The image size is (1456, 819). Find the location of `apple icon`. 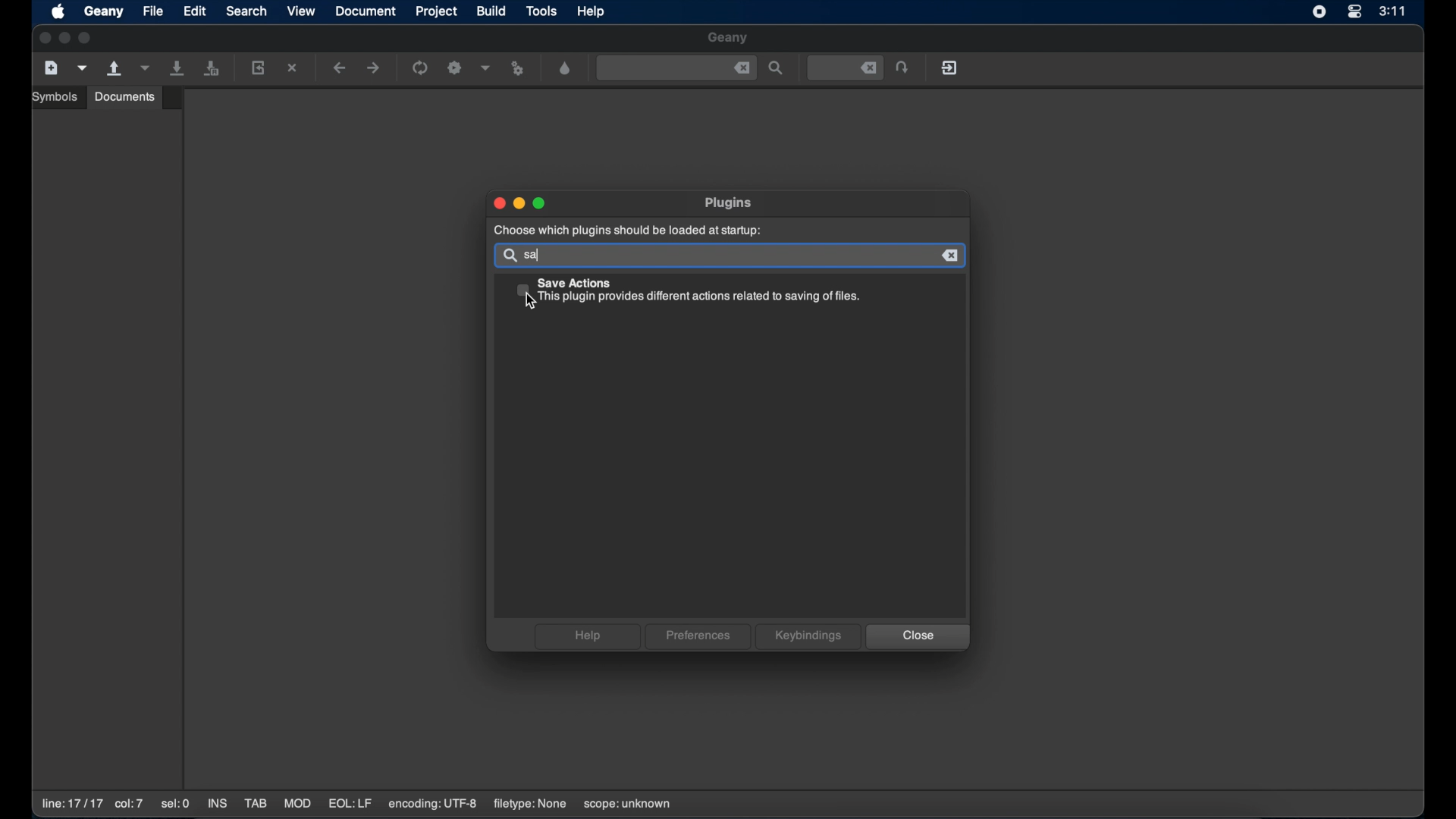

apple icon is located at coordinates (60, 13).